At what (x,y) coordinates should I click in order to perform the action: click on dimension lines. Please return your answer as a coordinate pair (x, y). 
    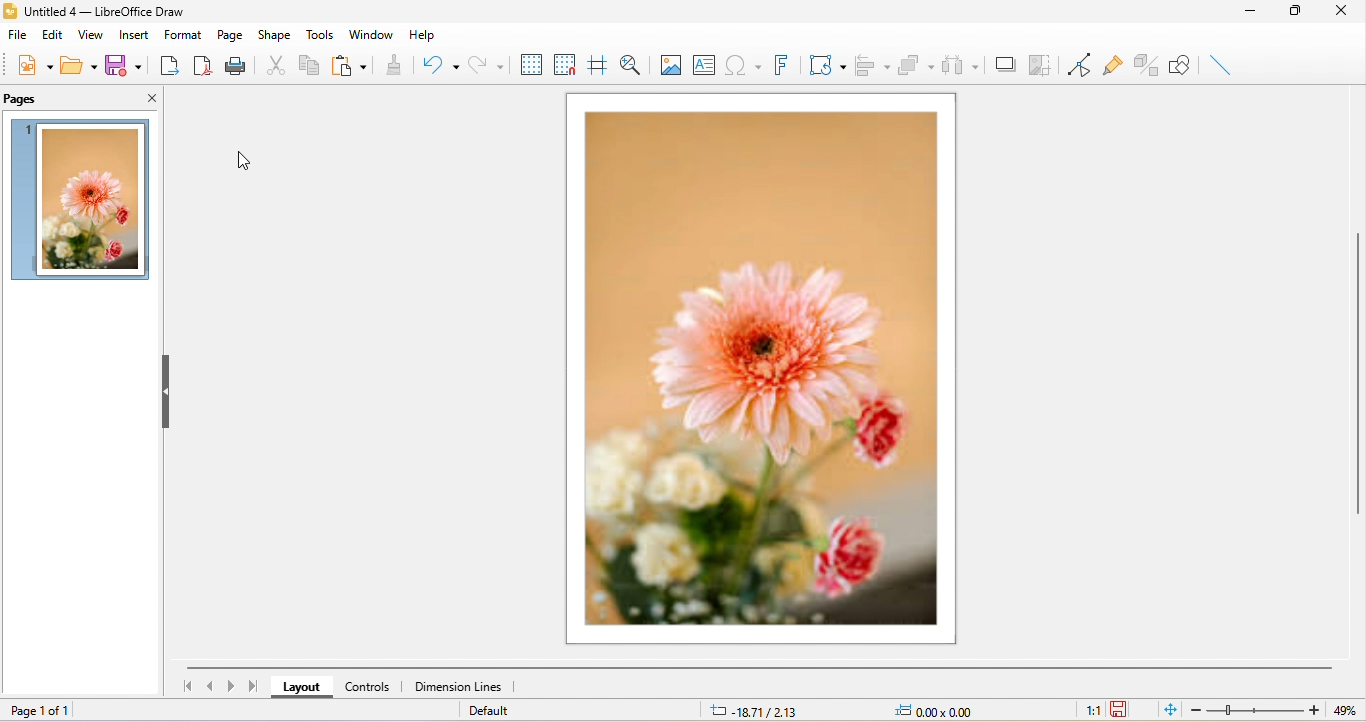
    Looking at the image, I should click on (461, 686).